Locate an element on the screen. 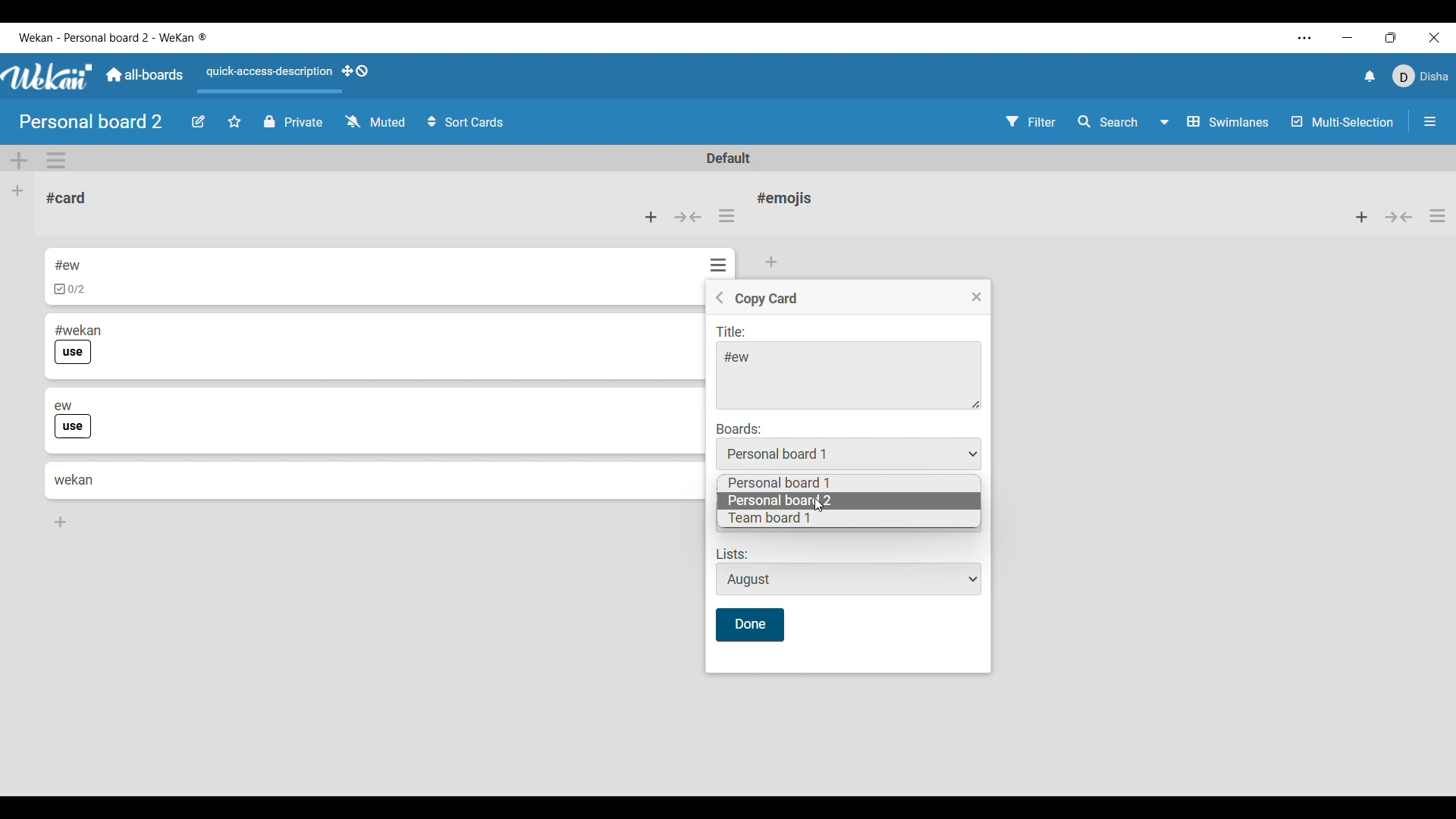 This screenshot has width=1456, height=819. Edit is located at coordinates (198, 122).